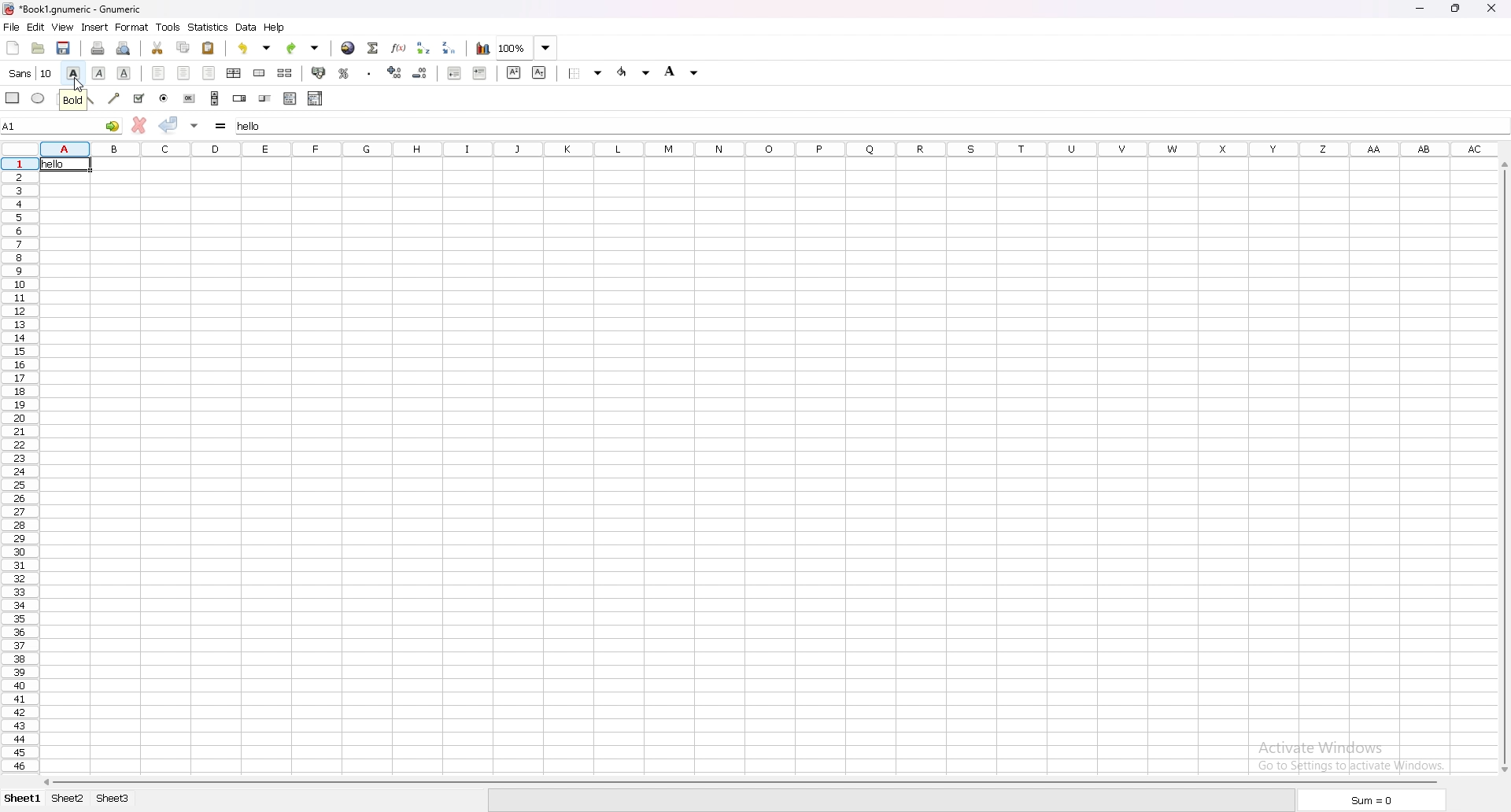  I want to click on minimize, so click(1422, 9).